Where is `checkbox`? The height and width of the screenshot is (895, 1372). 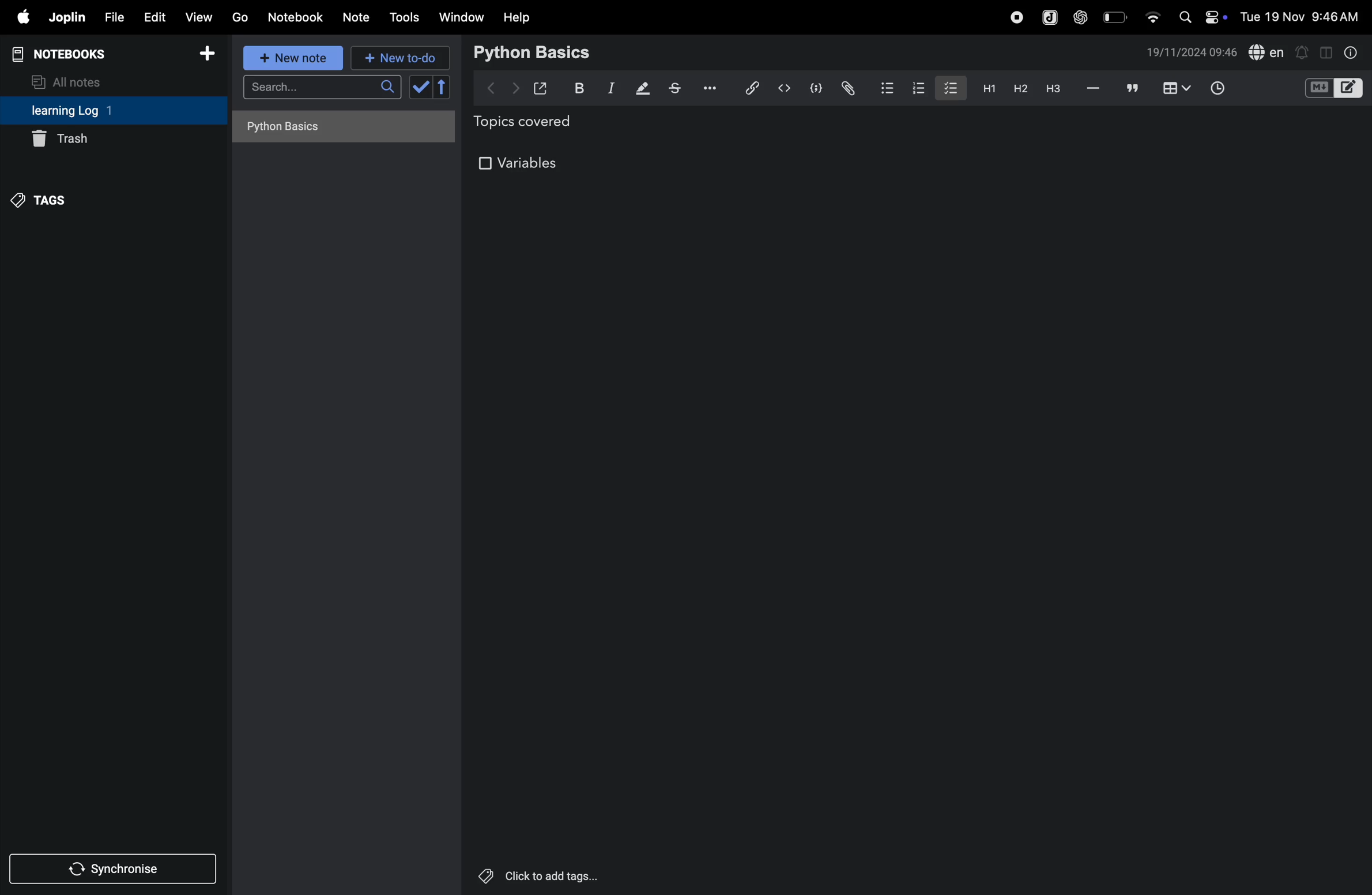
checkbox is located at coordinates (949, 87).